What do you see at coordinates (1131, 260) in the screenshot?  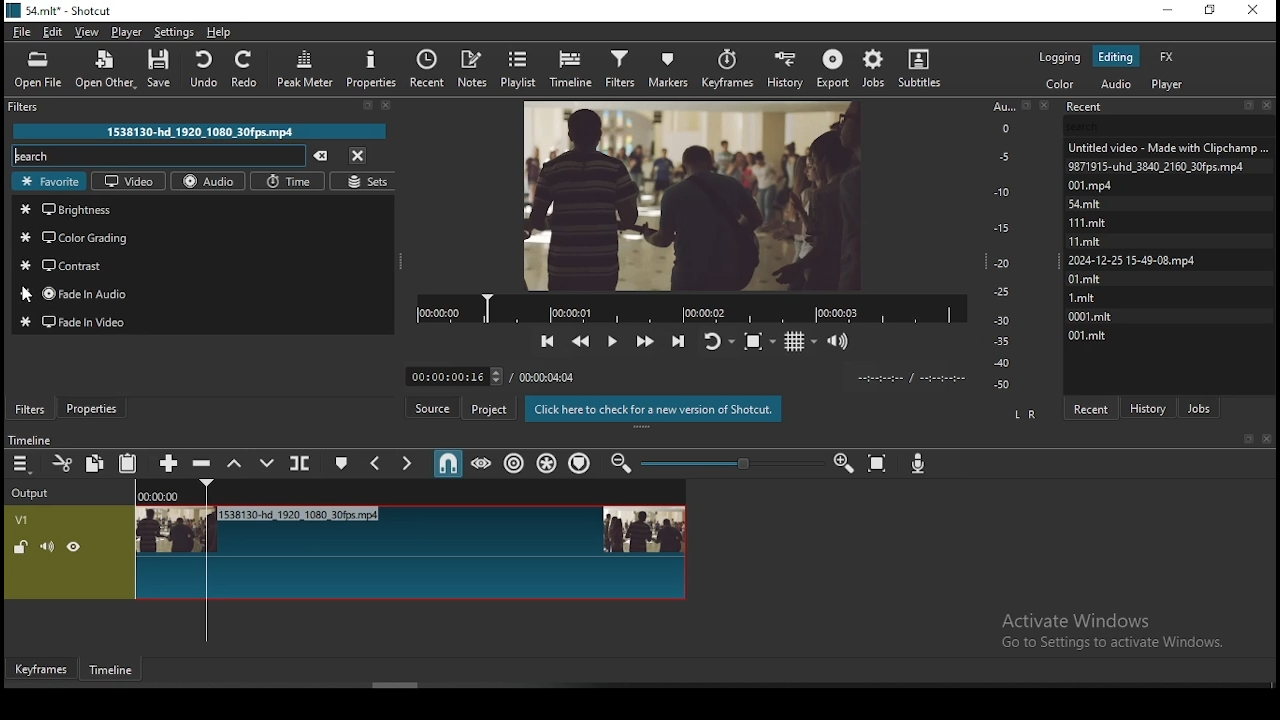 I see `2024-12-25 15-49-08.mp4` at bounding box center [1131, 260].